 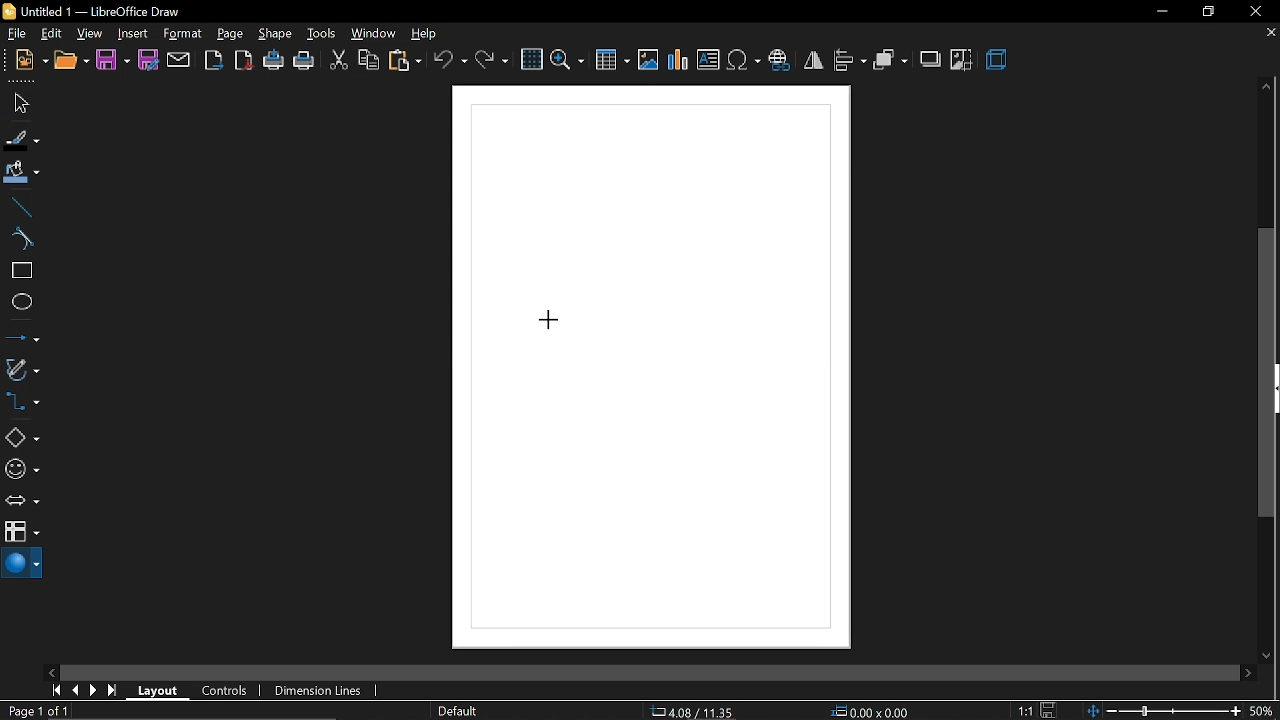 I want to click on Vertical scrollbar, so click(x=1270, y=374).